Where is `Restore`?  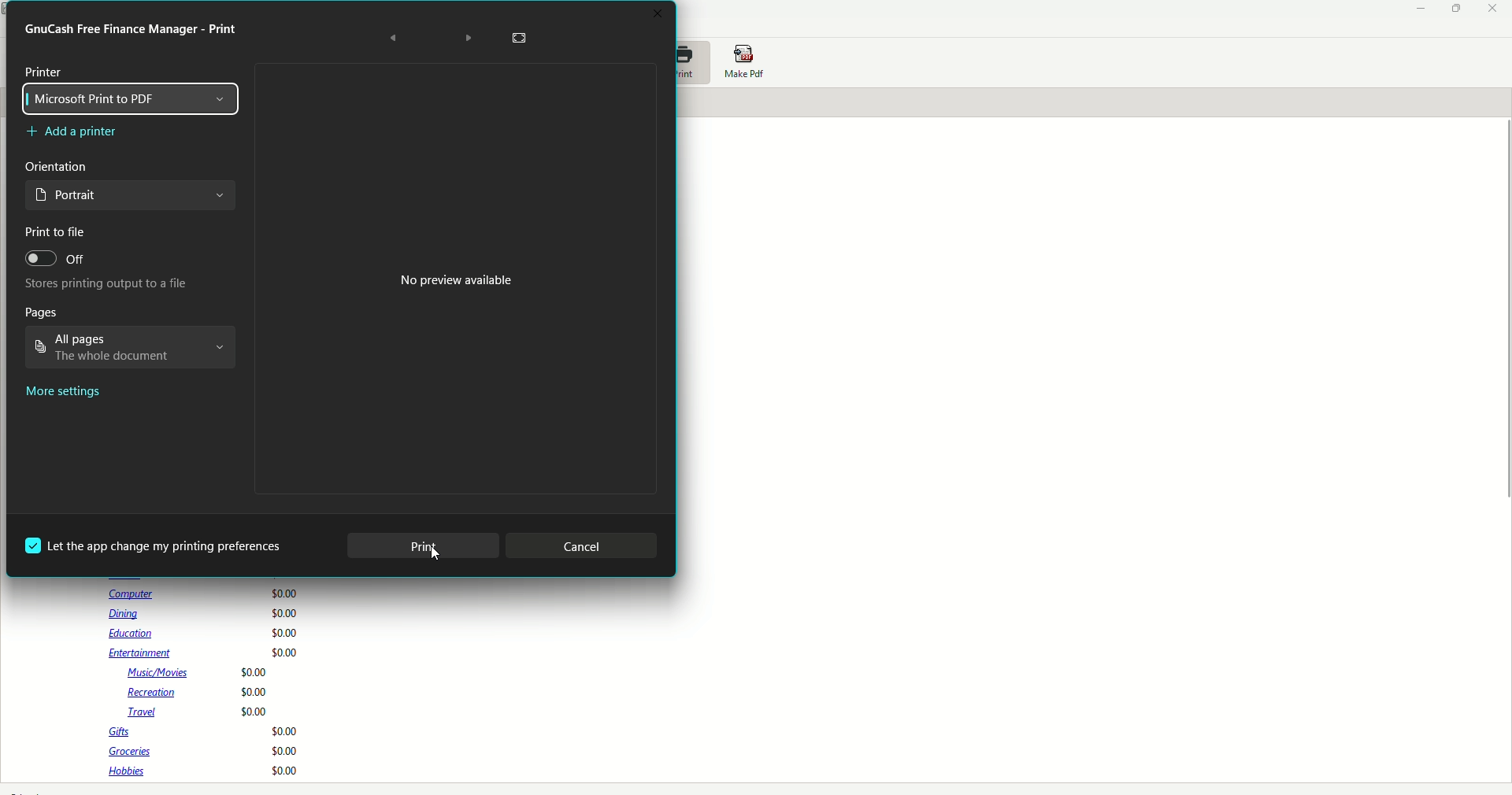
Restore is located at coordinates (1454, 9).